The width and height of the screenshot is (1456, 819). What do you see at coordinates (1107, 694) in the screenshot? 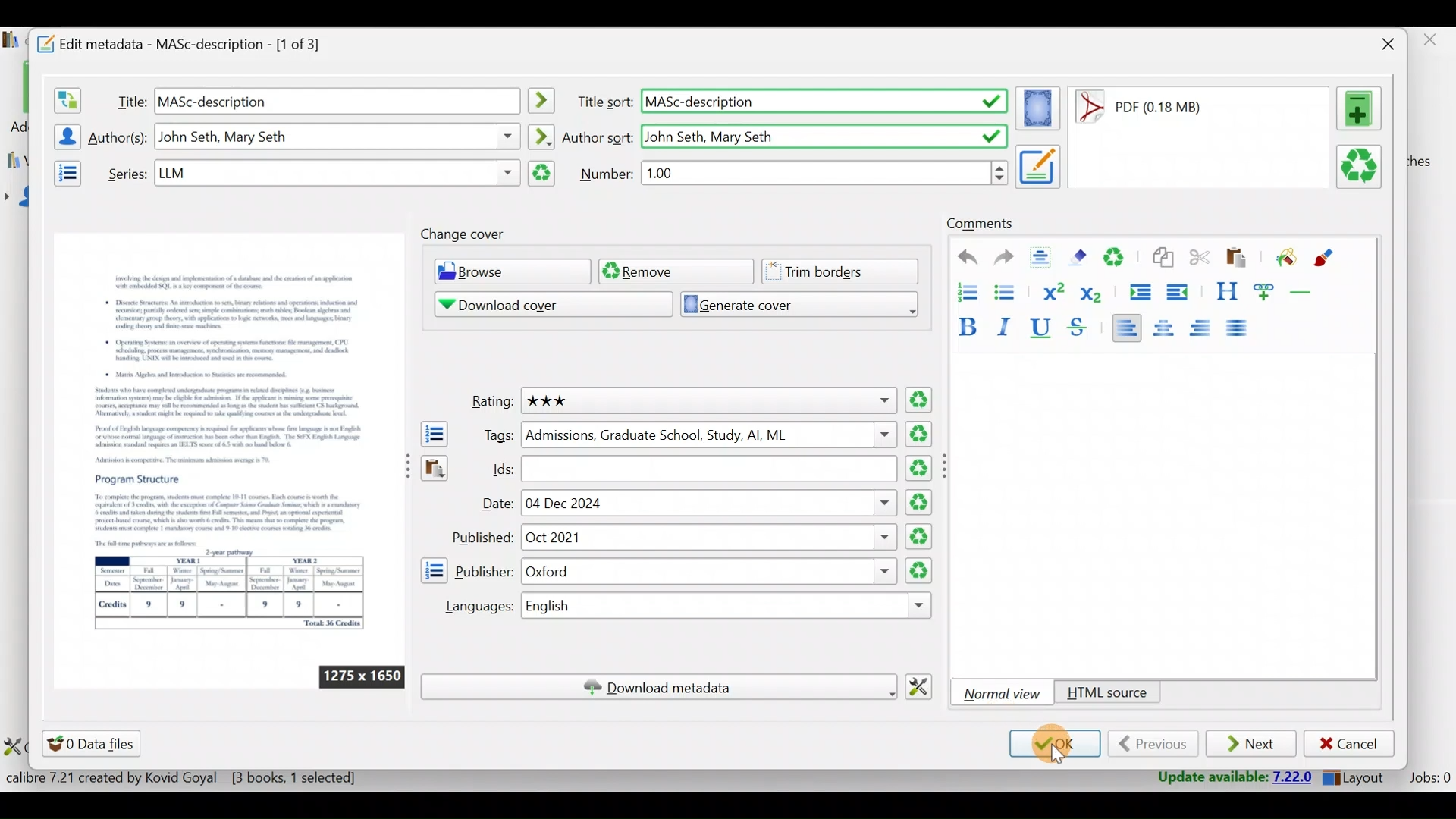
I see `HTML source` at bounding box center [1107, 694].